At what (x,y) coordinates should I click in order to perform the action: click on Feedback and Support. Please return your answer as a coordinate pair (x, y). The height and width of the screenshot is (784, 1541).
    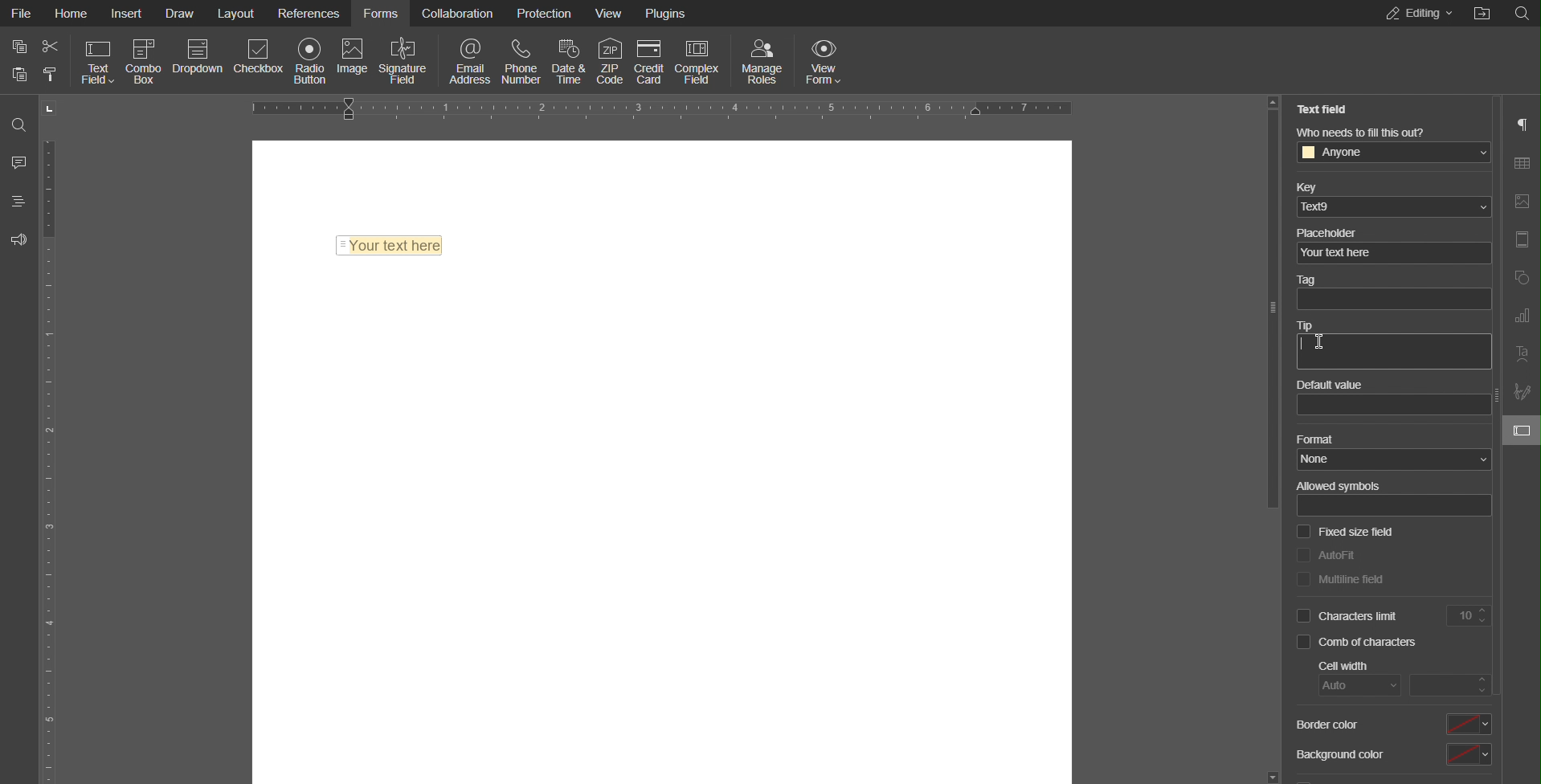
    Looking at the image, I should click on (18, 238).